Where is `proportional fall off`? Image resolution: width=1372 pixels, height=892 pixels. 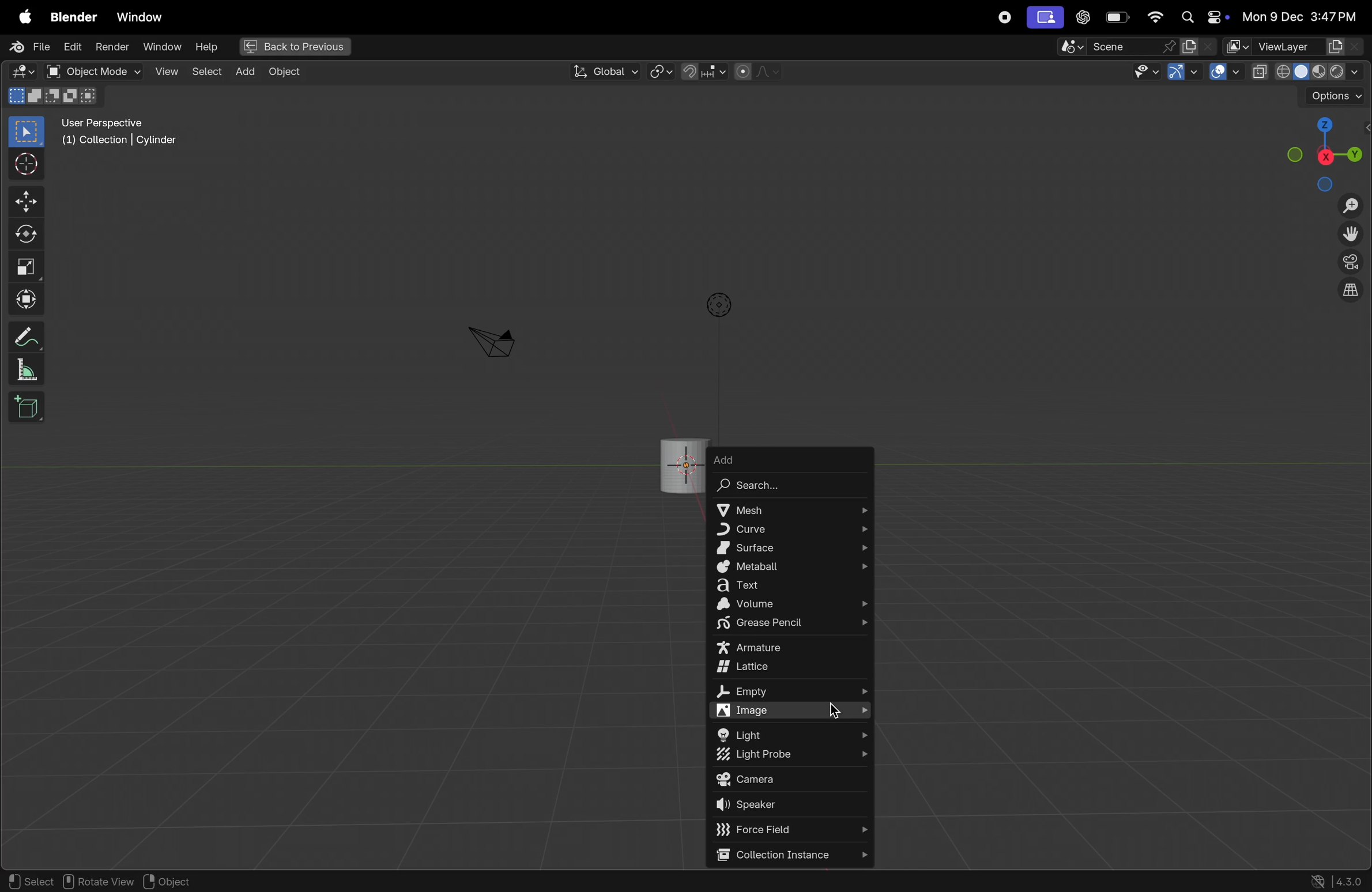 proportional fall off is located at coordinates (756, 72).